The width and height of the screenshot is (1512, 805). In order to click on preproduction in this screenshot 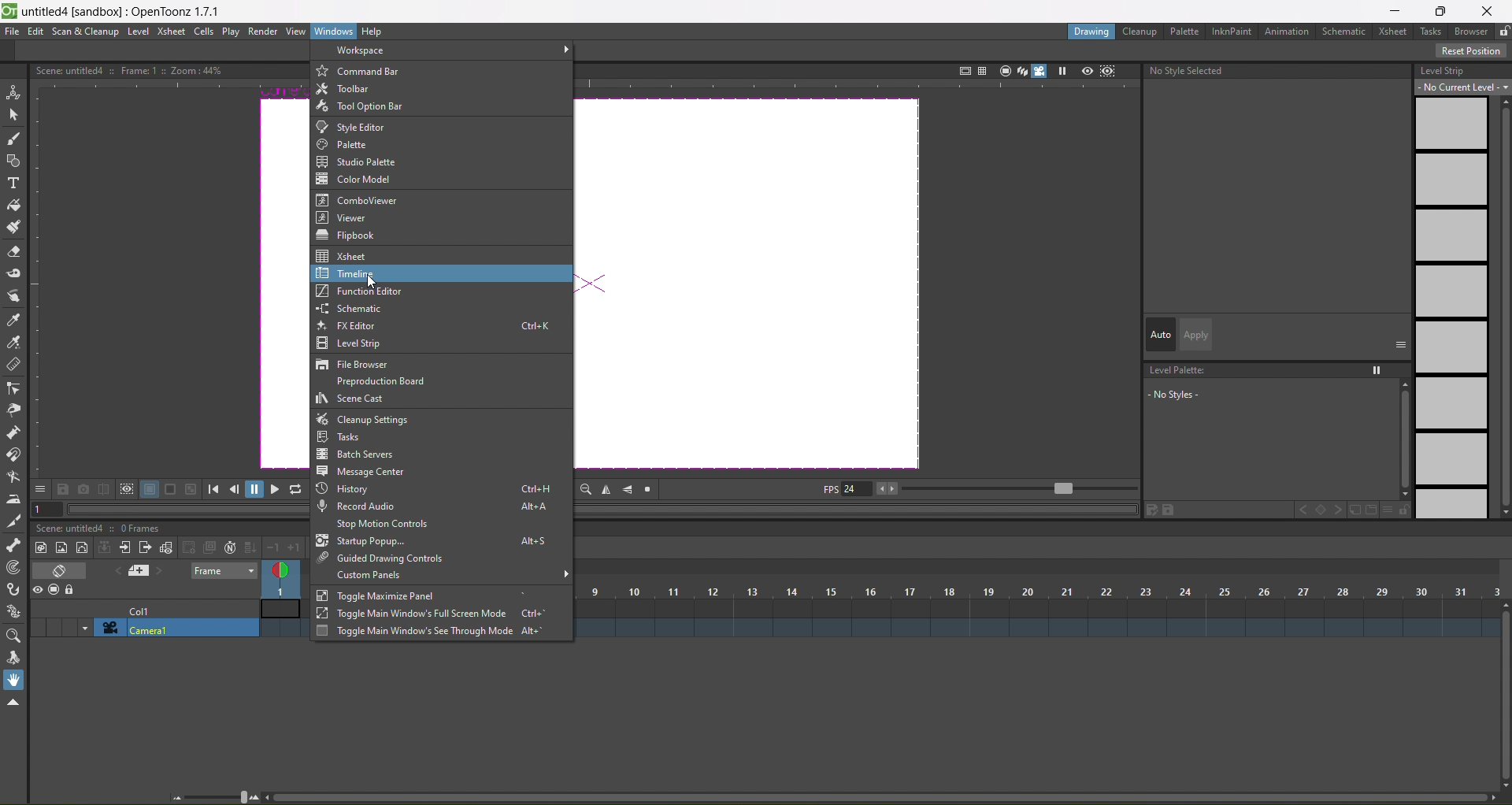, I will do `click(388, 381)`.